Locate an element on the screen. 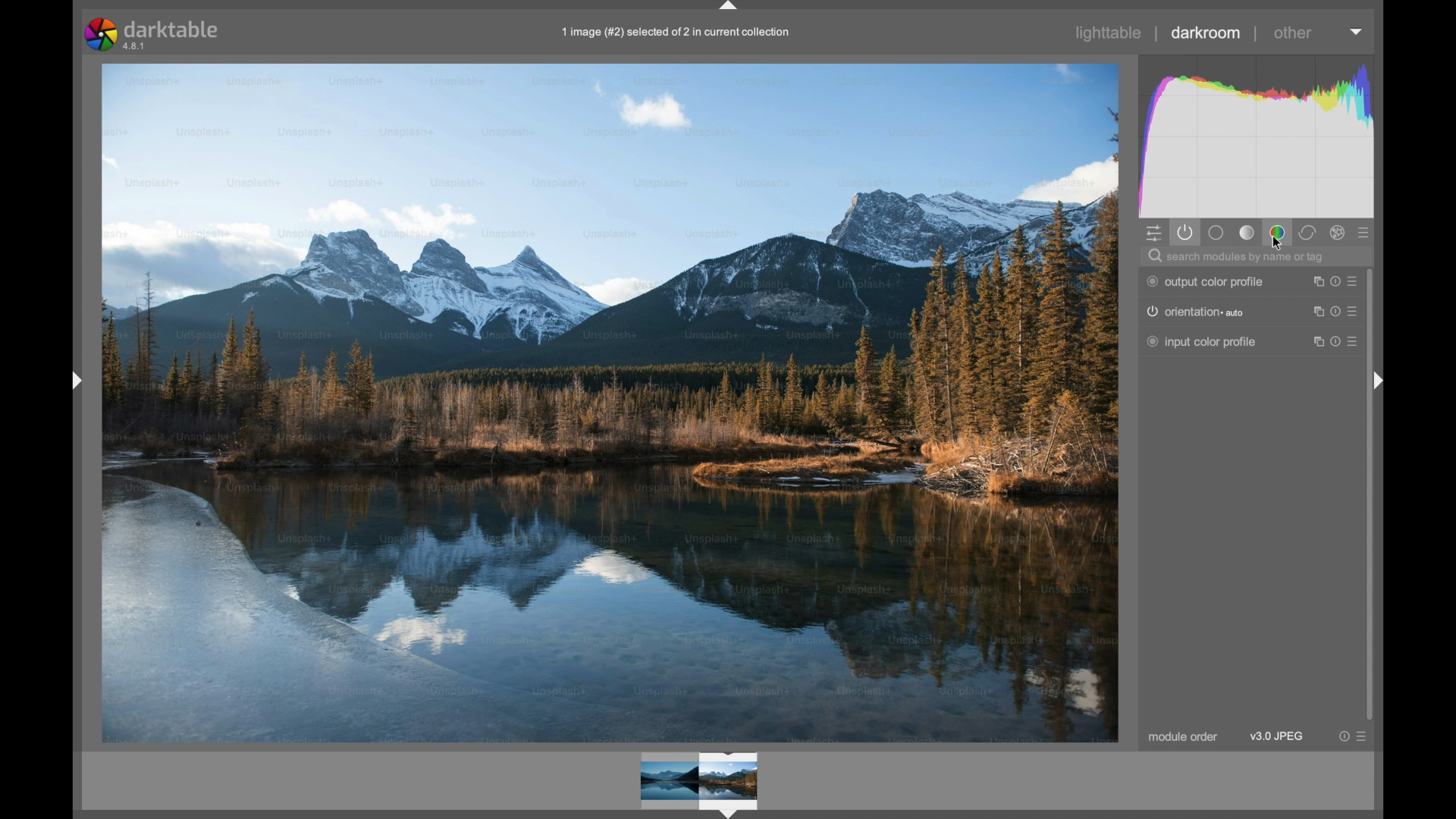 Image resolution: width=1456 pixels, height=819 pixels. instance is located at coordinates (1316, 341).